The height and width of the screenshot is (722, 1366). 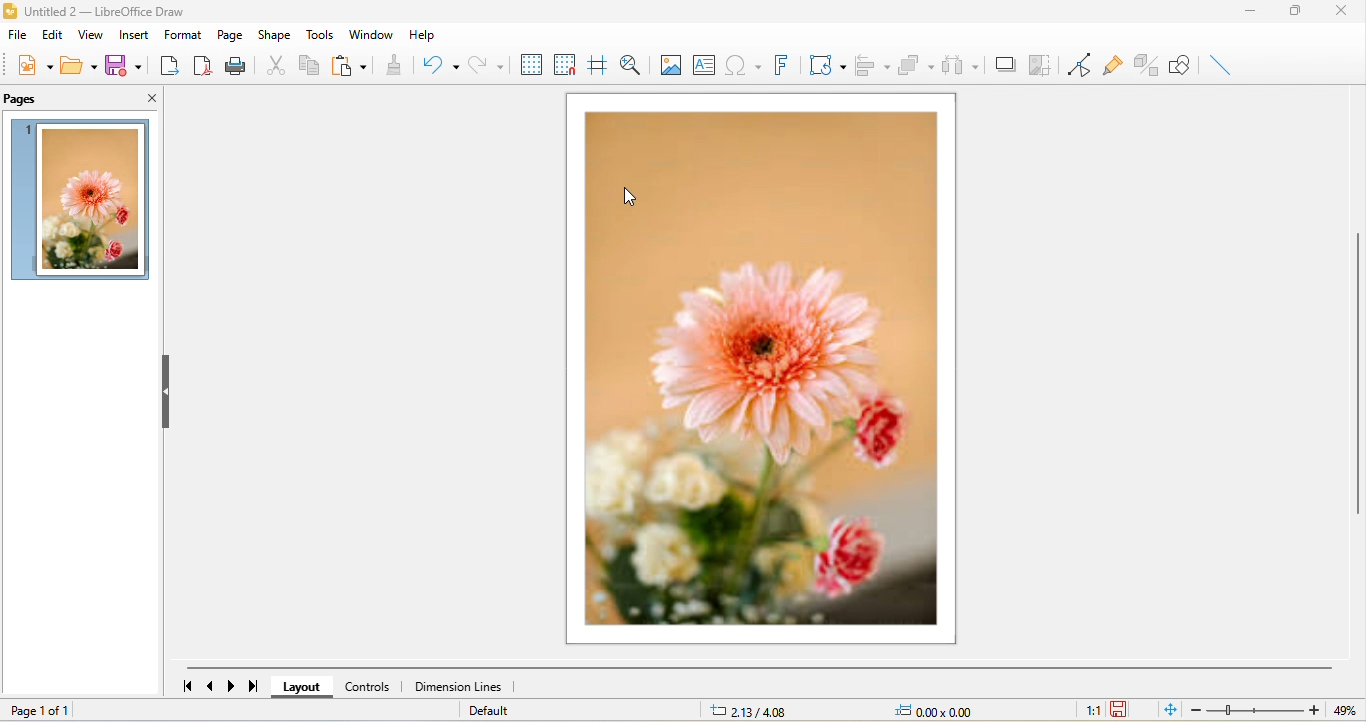 What do you see at coordinates (827, 64) in the screenshot?
I see `transformation` at bounding box center [827, 64].